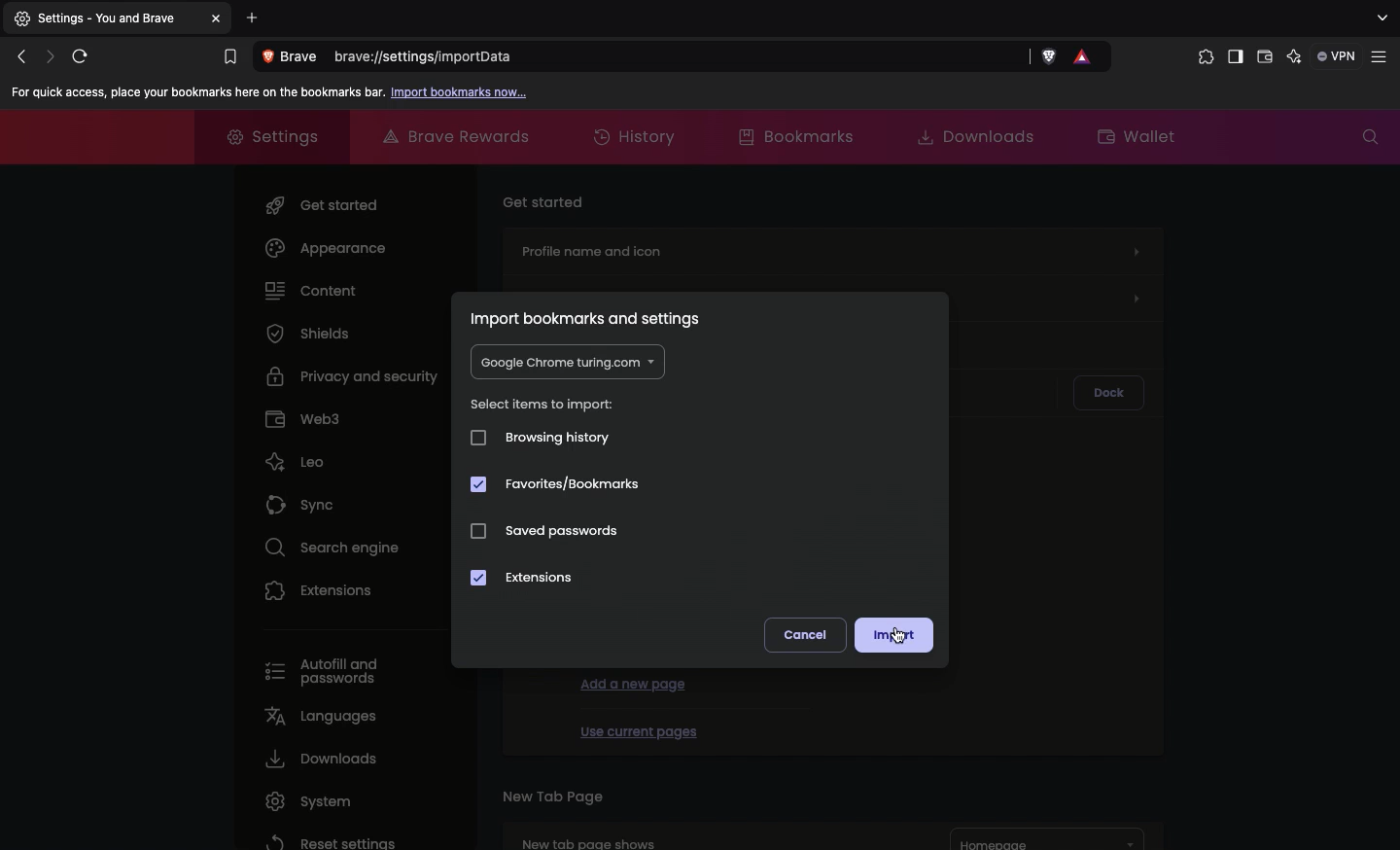 The image size is (1400, 850). I want to click on Get started, so click(545, 199).